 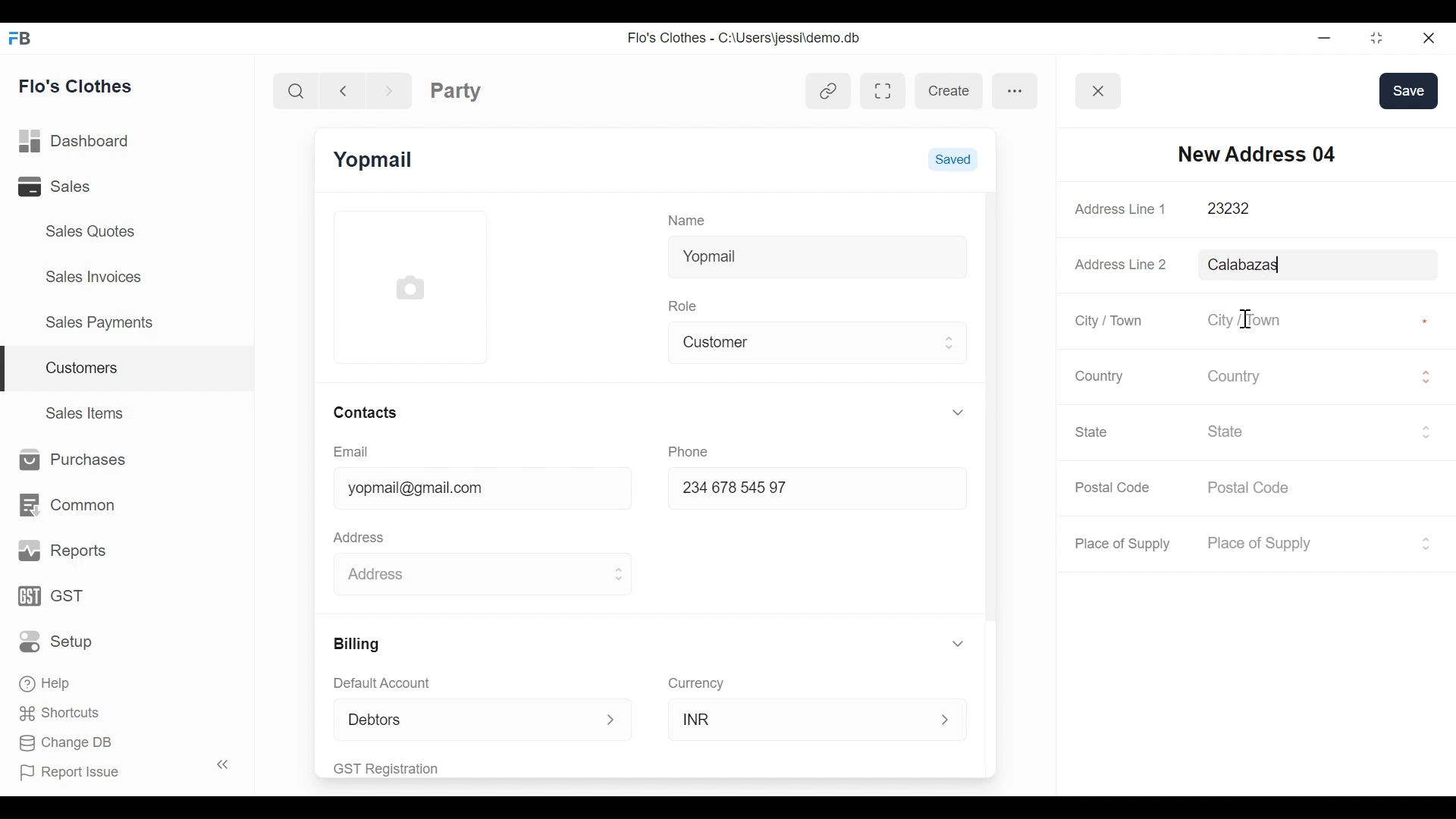 I want to click on Phone, so click(x=693, y=450).